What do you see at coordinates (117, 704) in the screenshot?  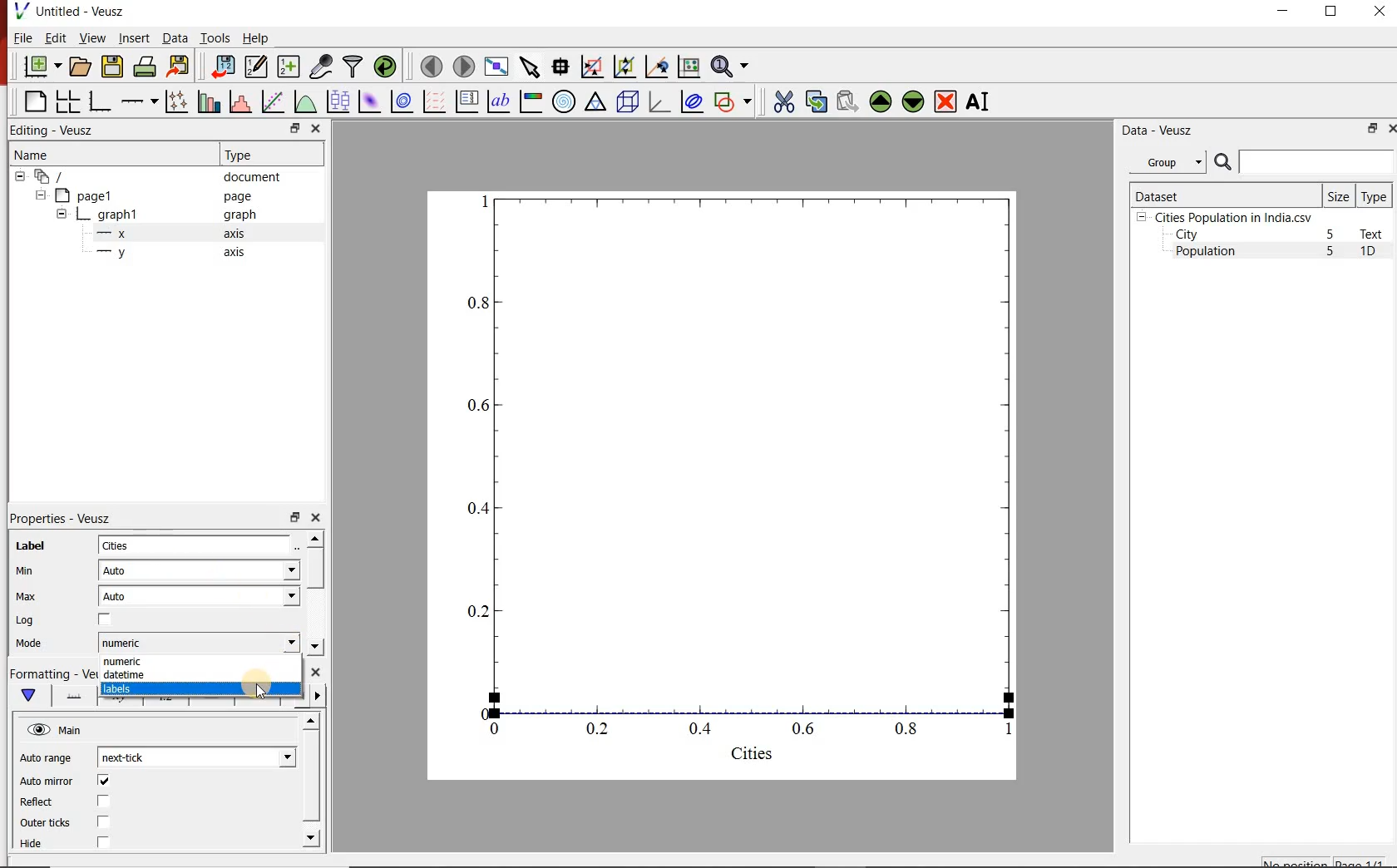 I see `Axis Label` at bounding box center [117, 704].